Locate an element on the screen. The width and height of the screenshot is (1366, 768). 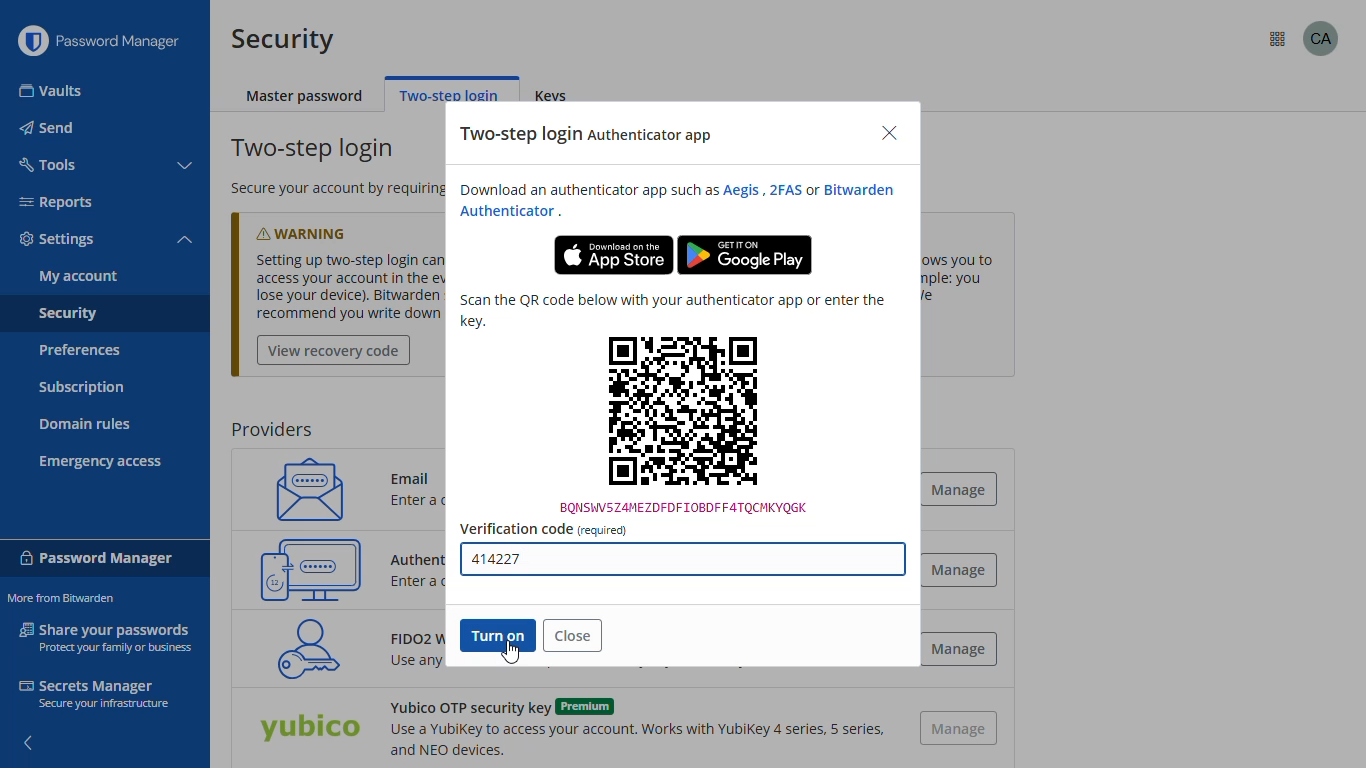
hide is located at coordinates (26, 737).